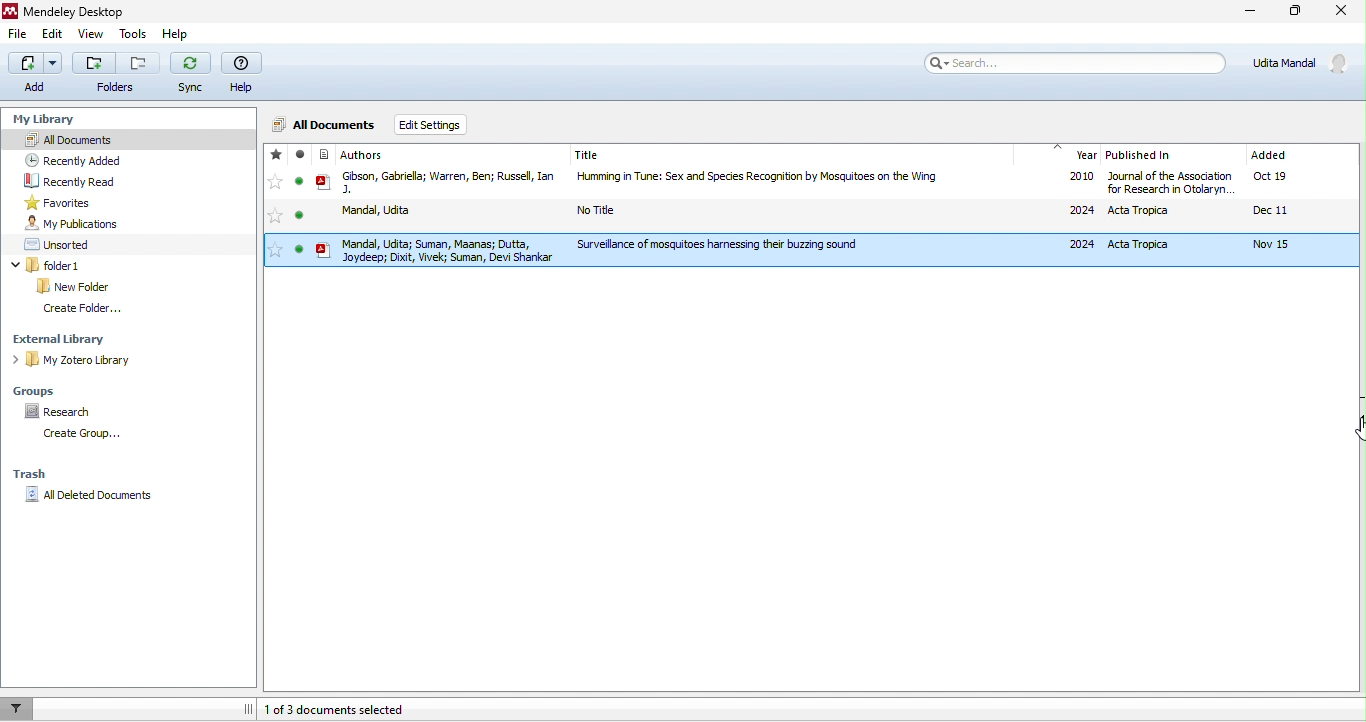  What do you see at coordinates (80, 158) in the screenshot?
I see `recently added` at bounding box center [80, 158].